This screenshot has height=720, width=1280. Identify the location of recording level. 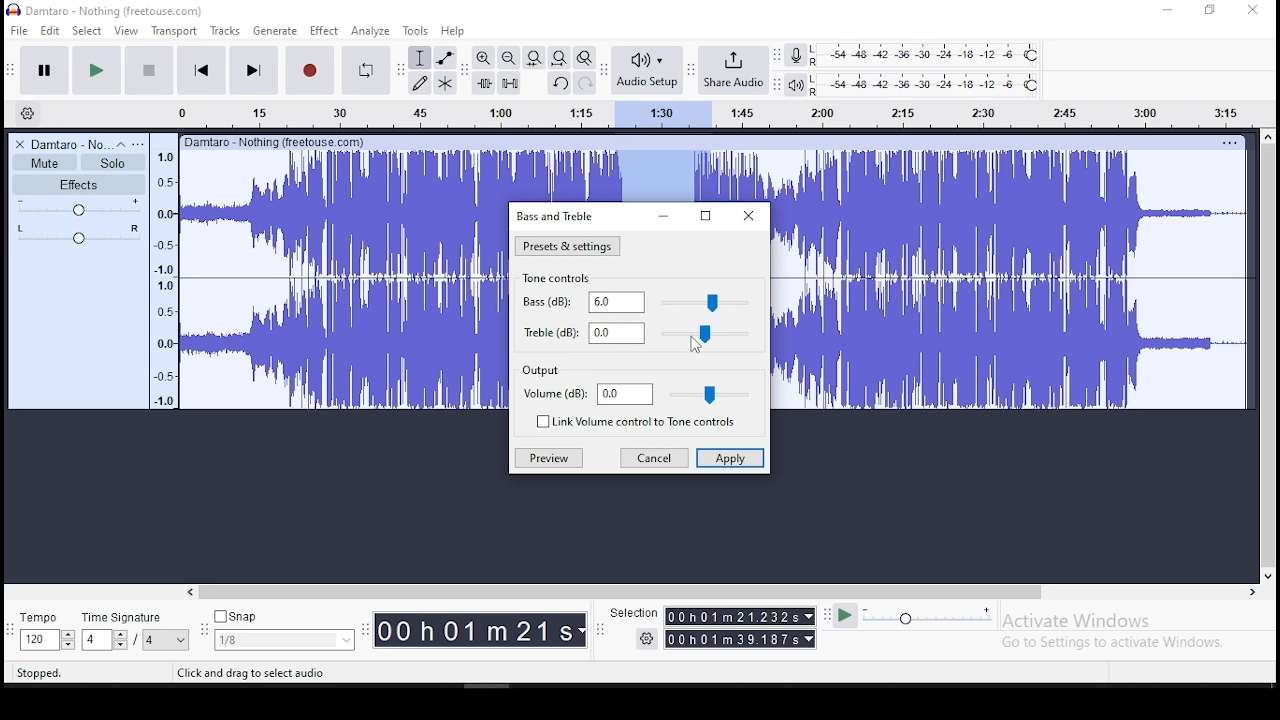
(927, 54).